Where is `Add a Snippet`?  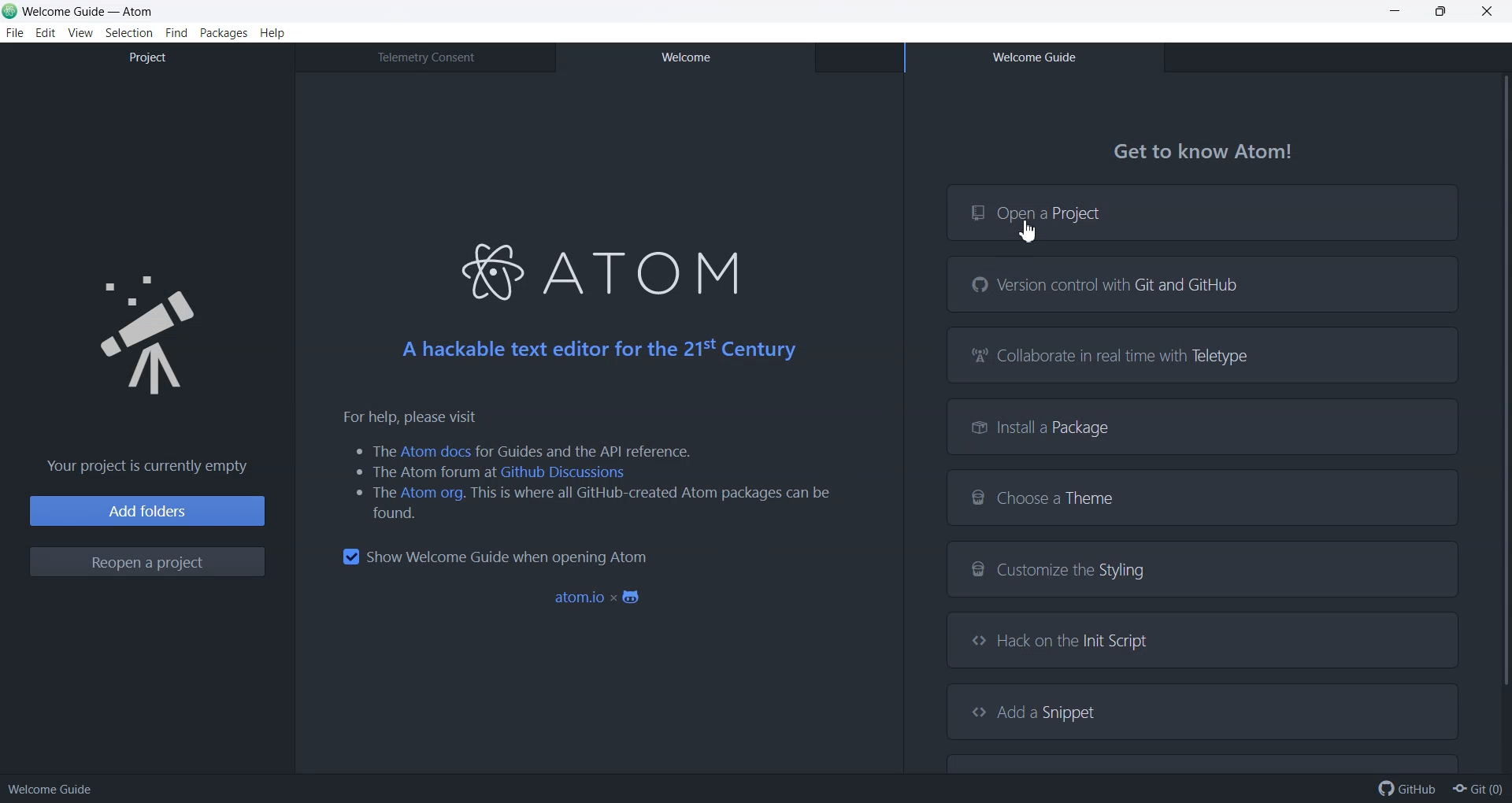 Add a Snippet is located at coordinates (1201, 710).